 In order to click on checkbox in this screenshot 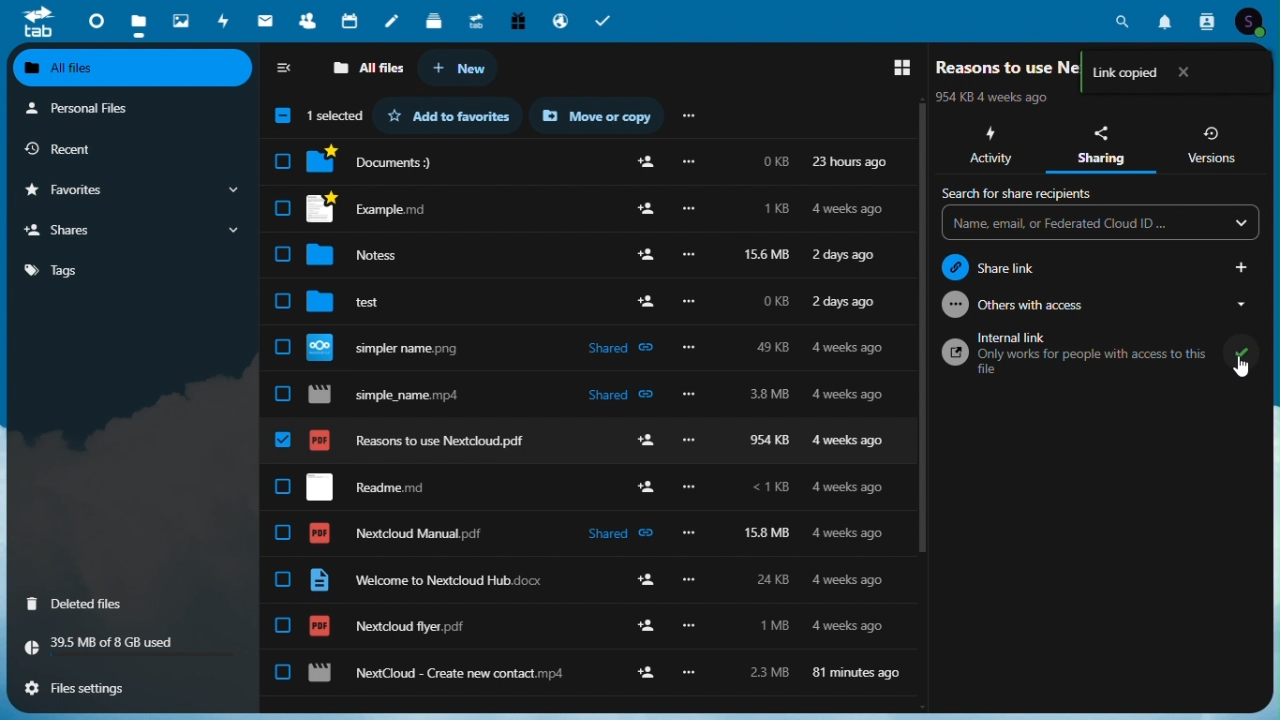, I will do `click(283, 626)`.